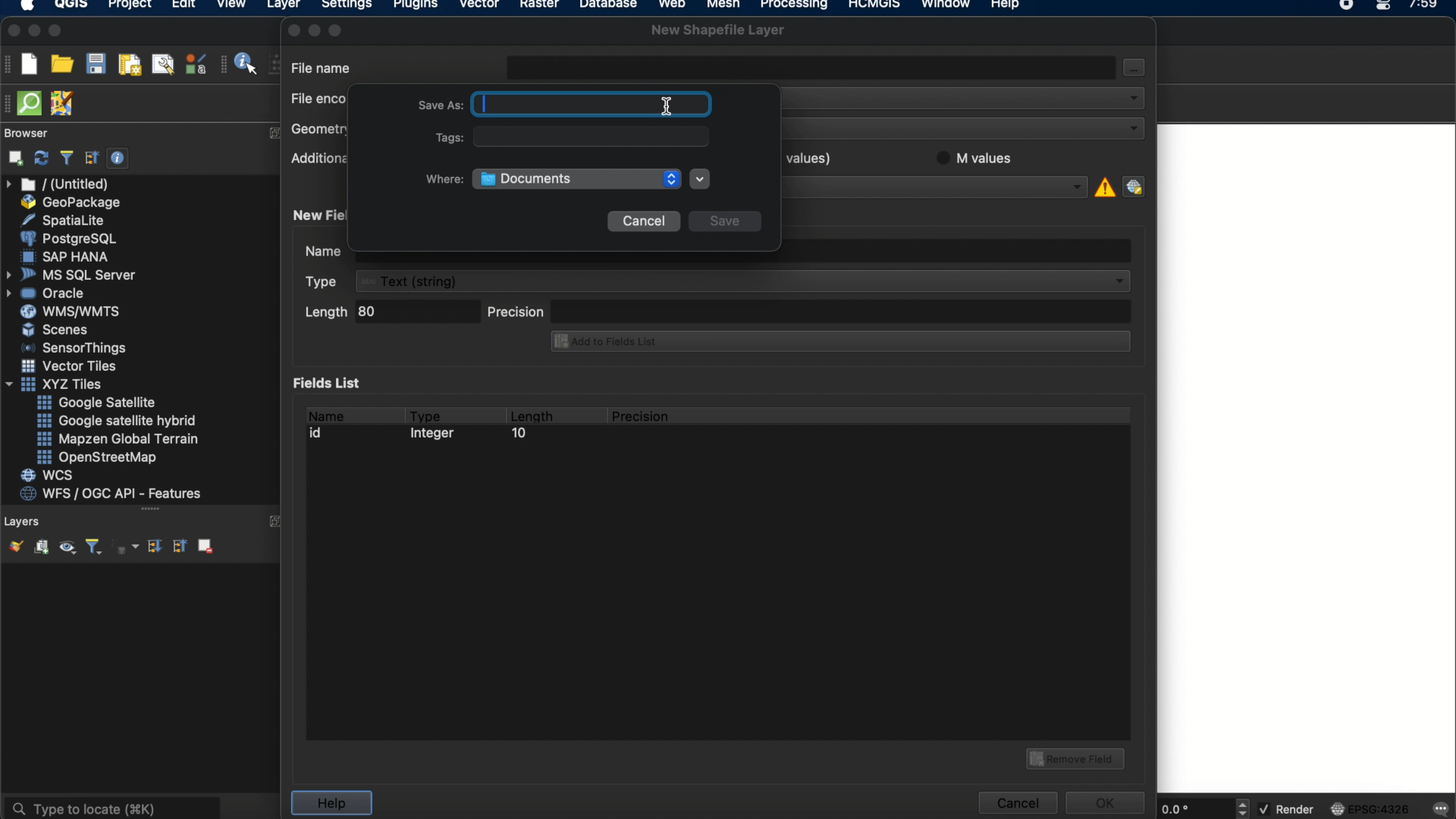 This screenshot has width=1456, height=819. What do you see at coordinates (577, 179) in the screenshot?
I see `folders dropdown` at bounding box center [577, 179].